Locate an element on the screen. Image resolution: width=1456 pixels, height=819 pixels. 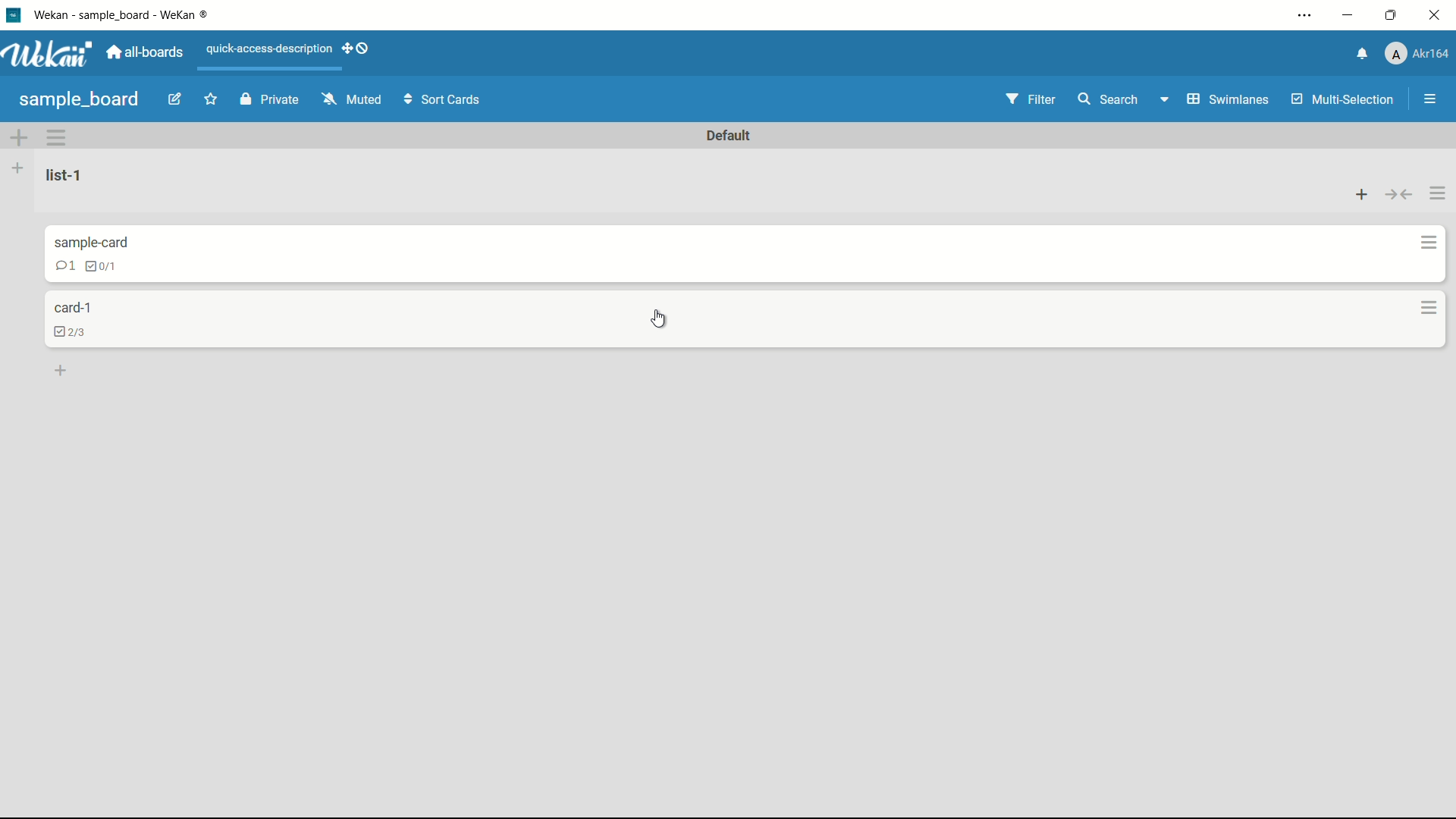
card actions is located at coordinates (1423, 242).